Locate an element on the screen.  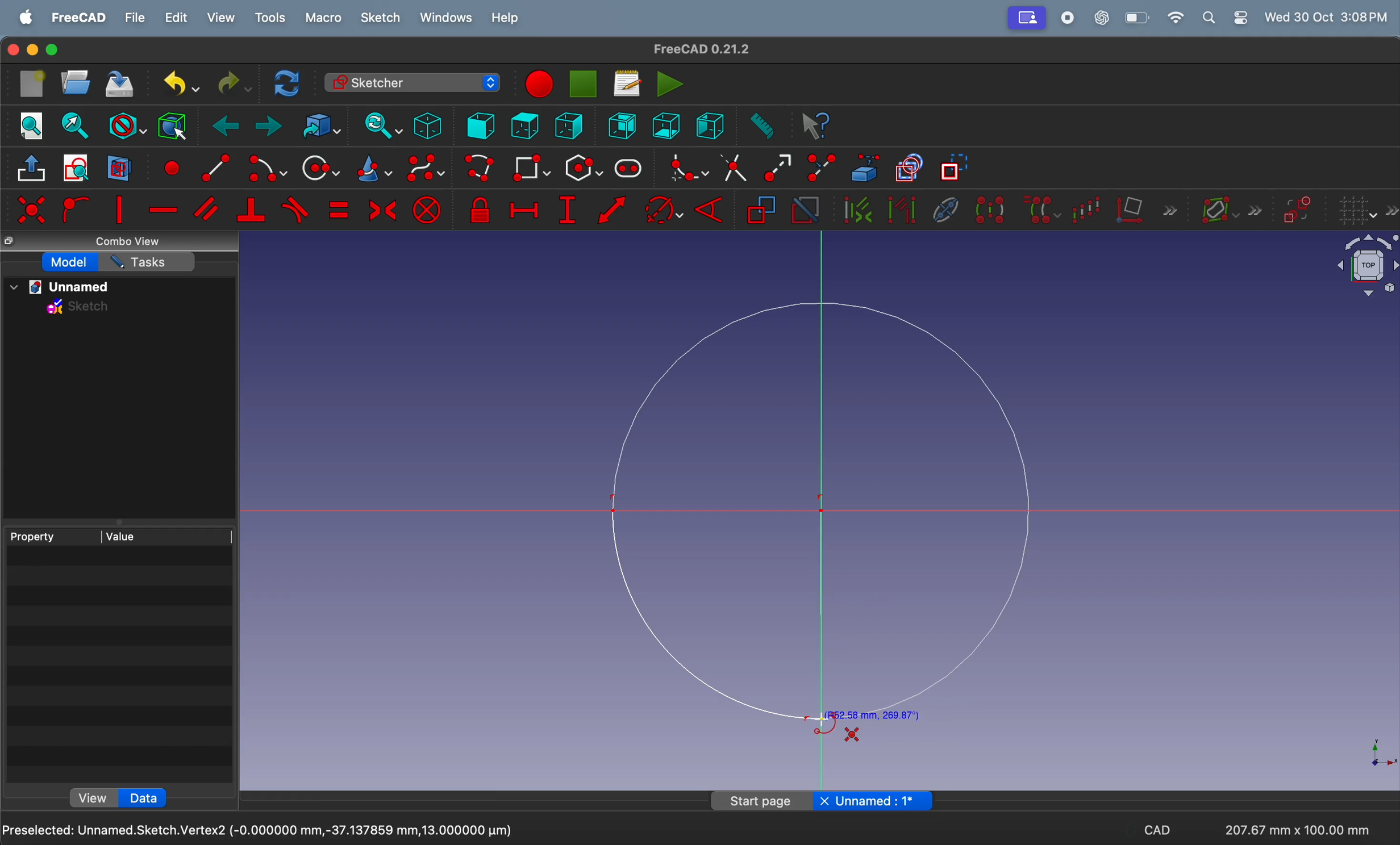
constrain distance is located at coordinates (613, 213).